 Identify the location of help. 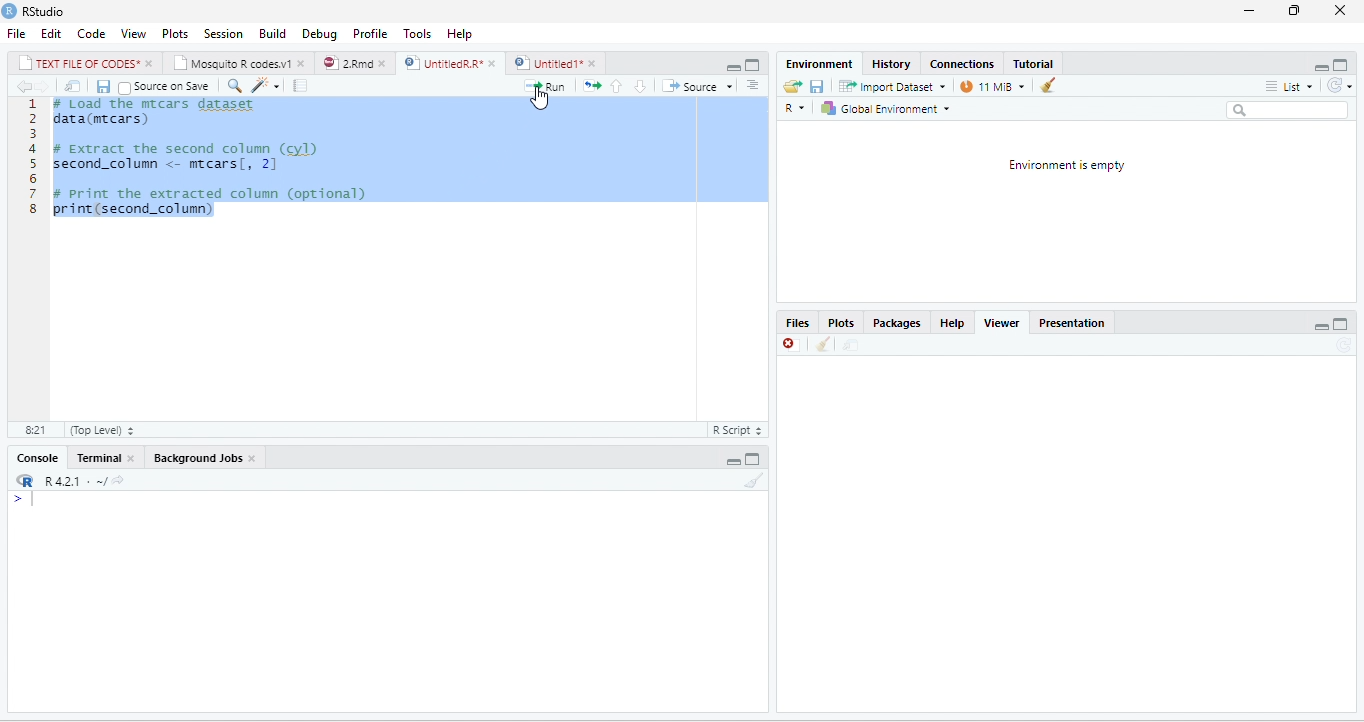
(952, 324).